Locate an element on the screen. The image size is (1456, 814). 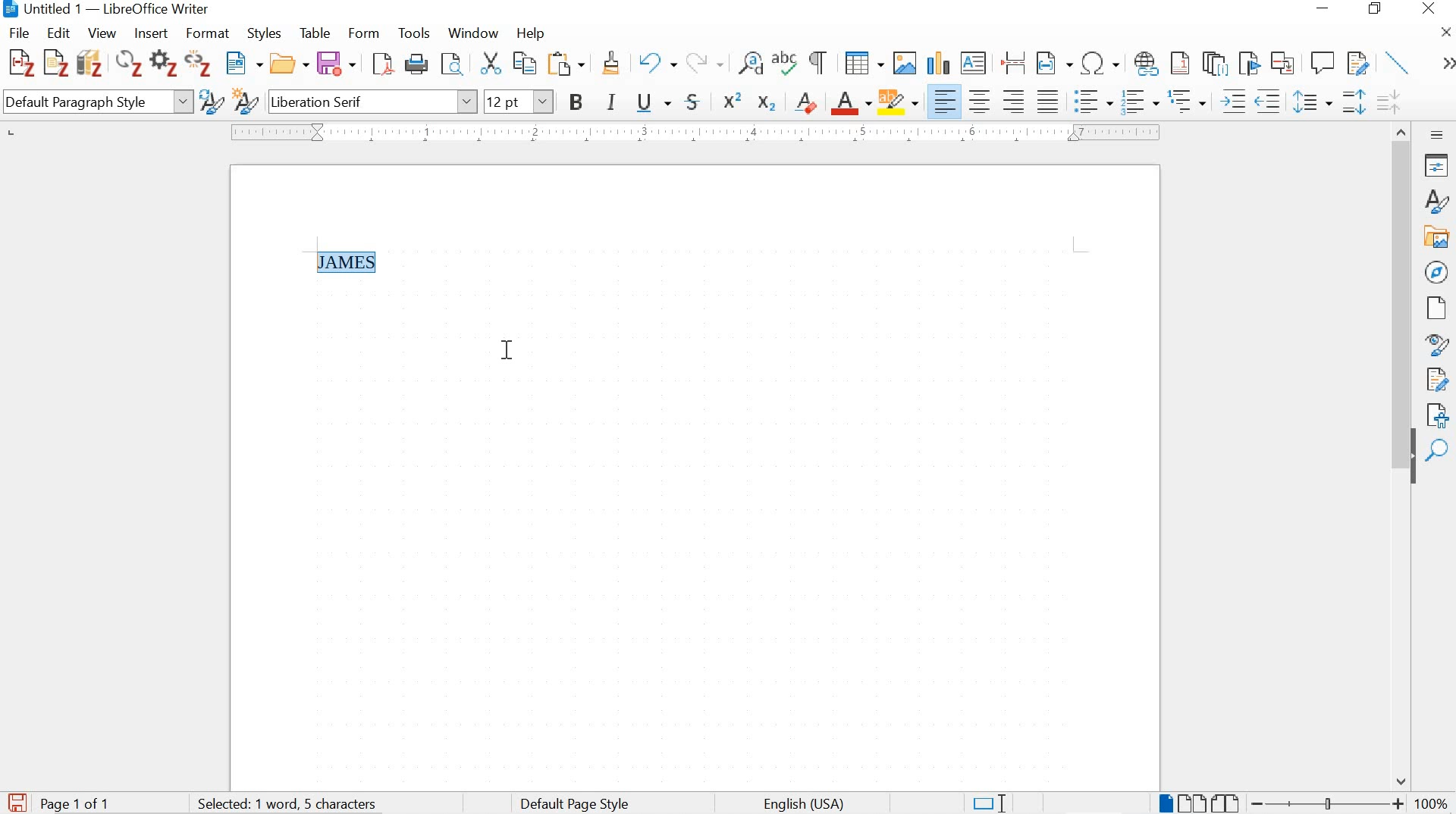
hide sidebar is located at coordinates (1412, 465).